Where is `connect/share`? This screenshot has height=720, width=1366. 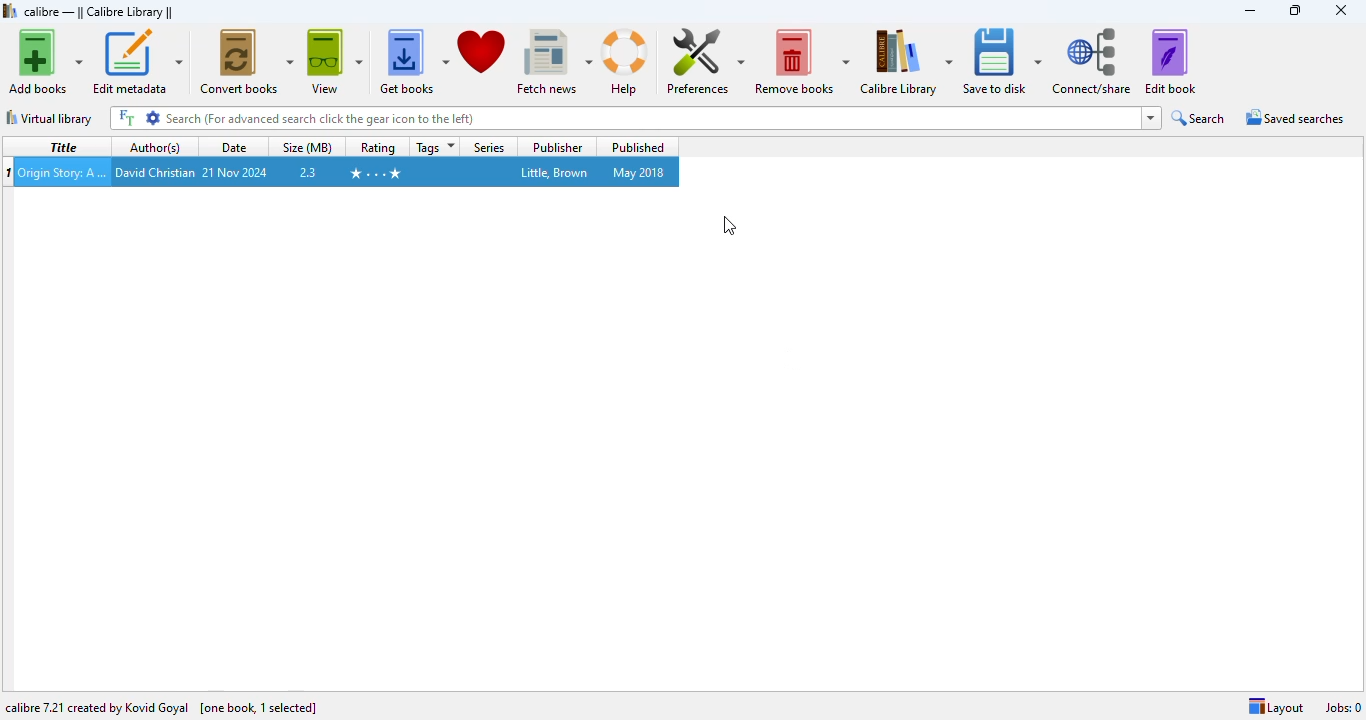
connect/share is located at coordinates (1092, 60).